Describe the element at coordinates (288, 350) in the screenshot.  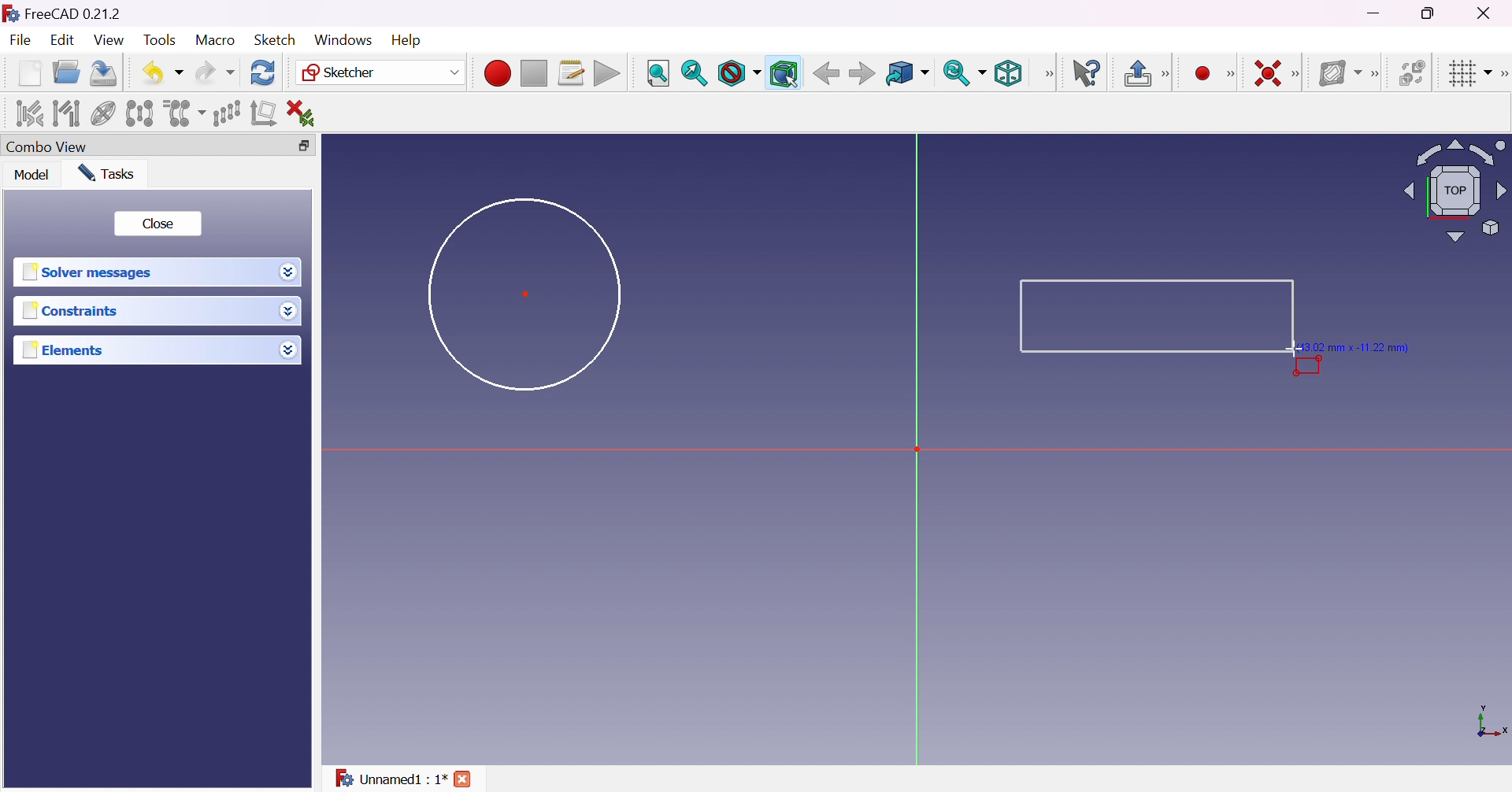
I see `Drop down` at that location.